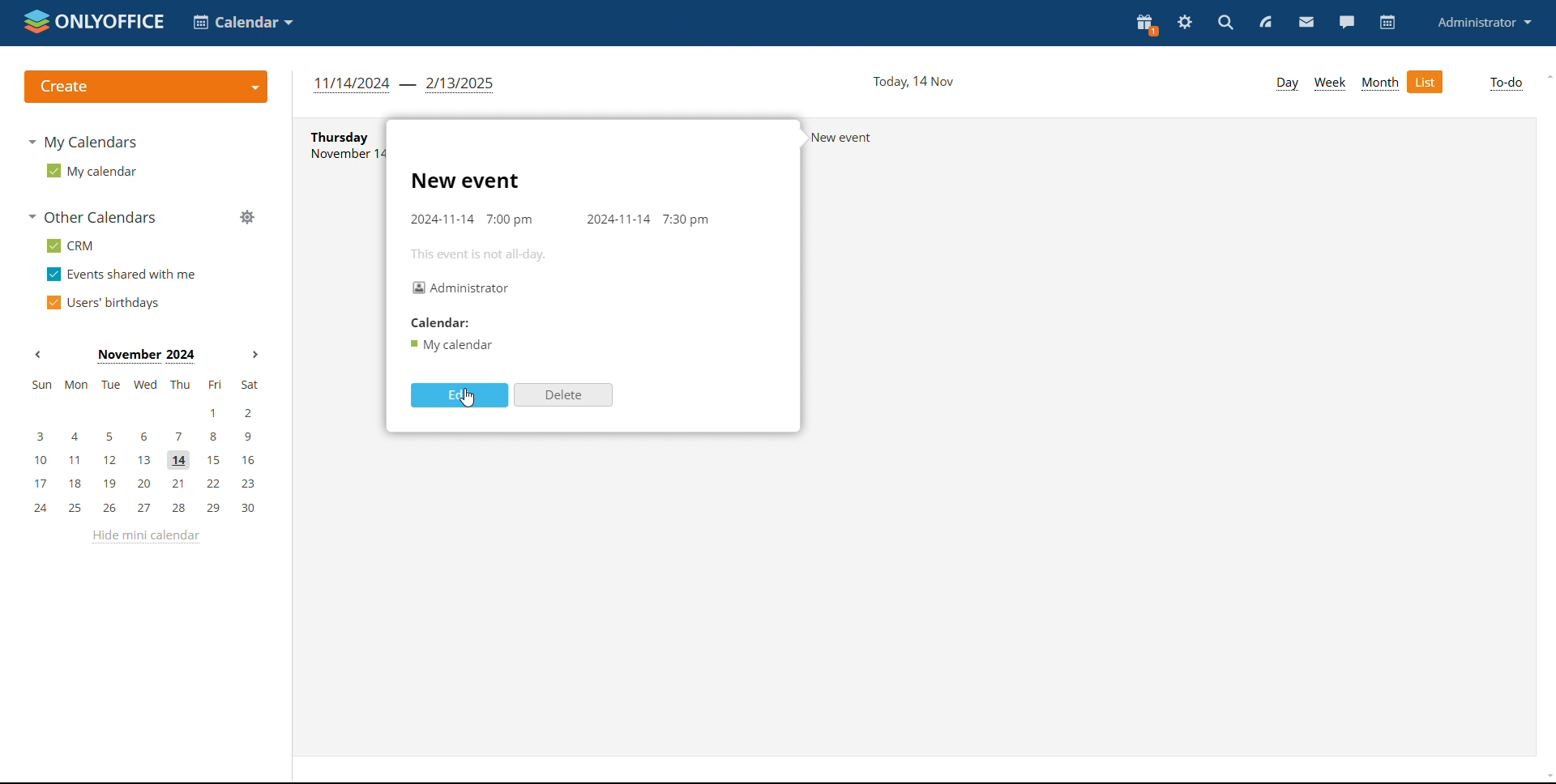 The height and width of the screenshot is (784, 1556). What do you see at coordinates (123, 275) in the screenshot?
I see `events shared with me` at bounding box center [123, 275].